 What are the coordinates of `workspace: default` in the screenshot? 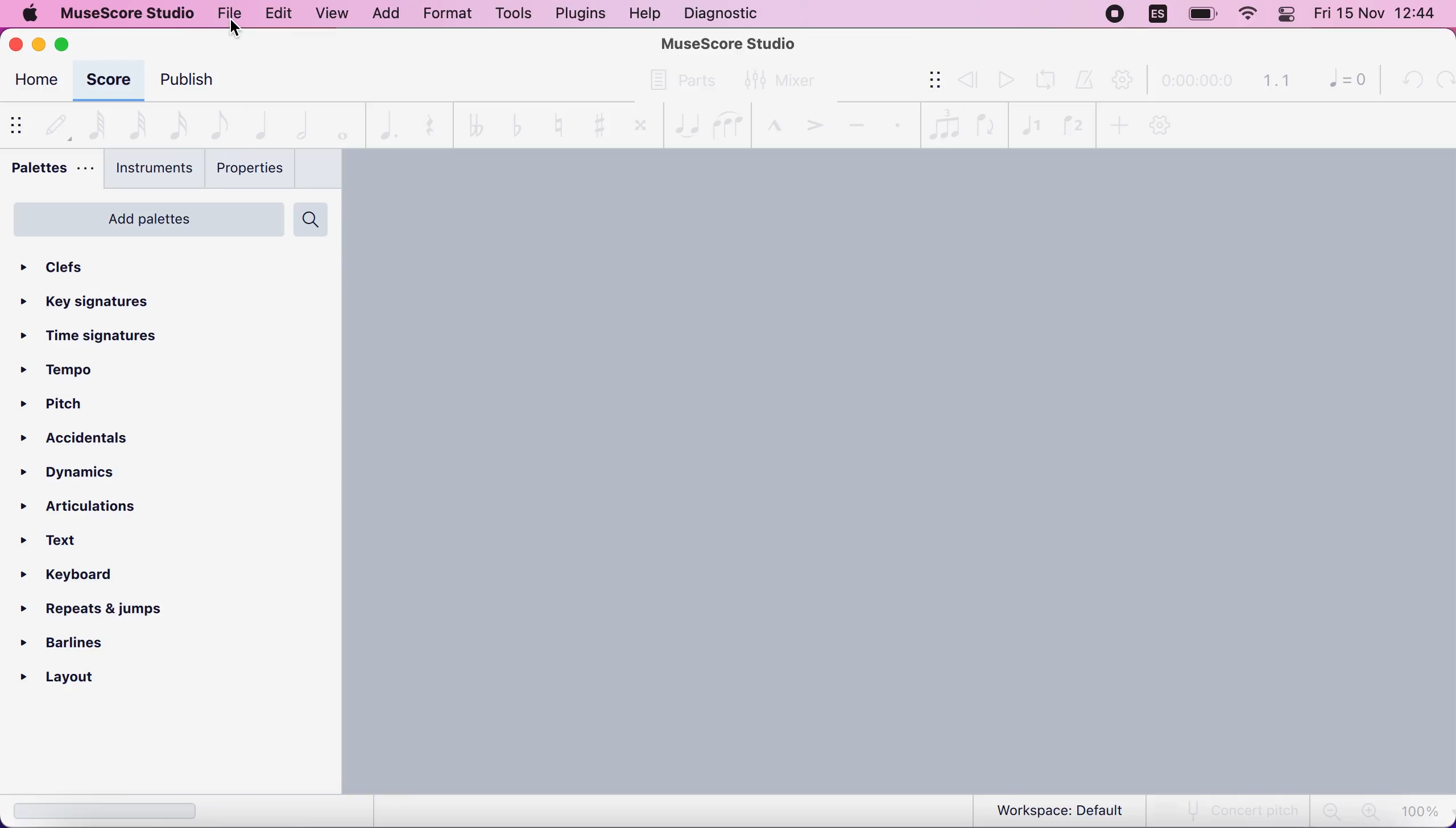 It's located at (1064, 810).